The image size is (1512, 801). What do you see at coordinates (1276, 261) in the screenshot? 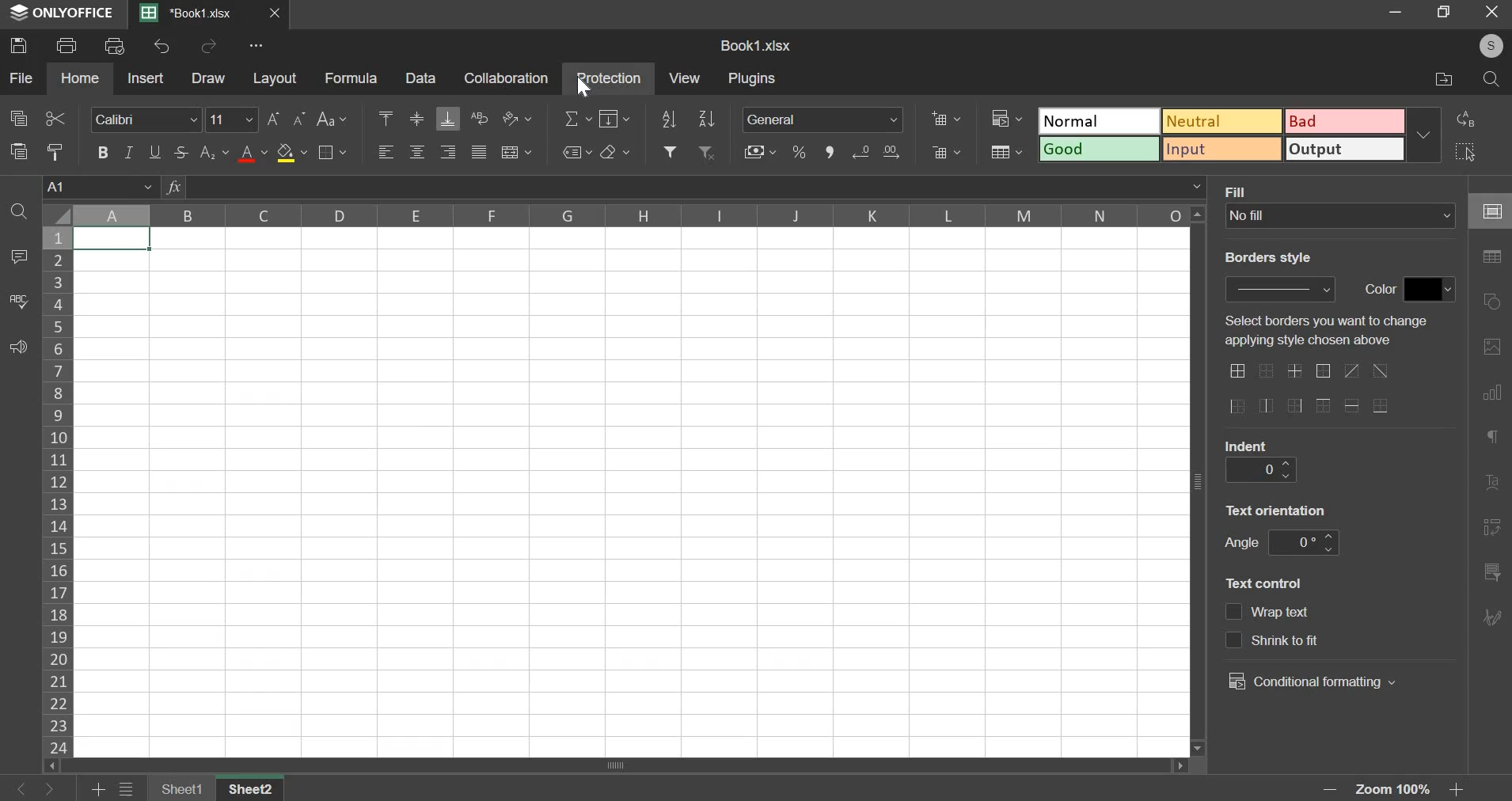
I see `Border style` at bounding box center [1276, 261].